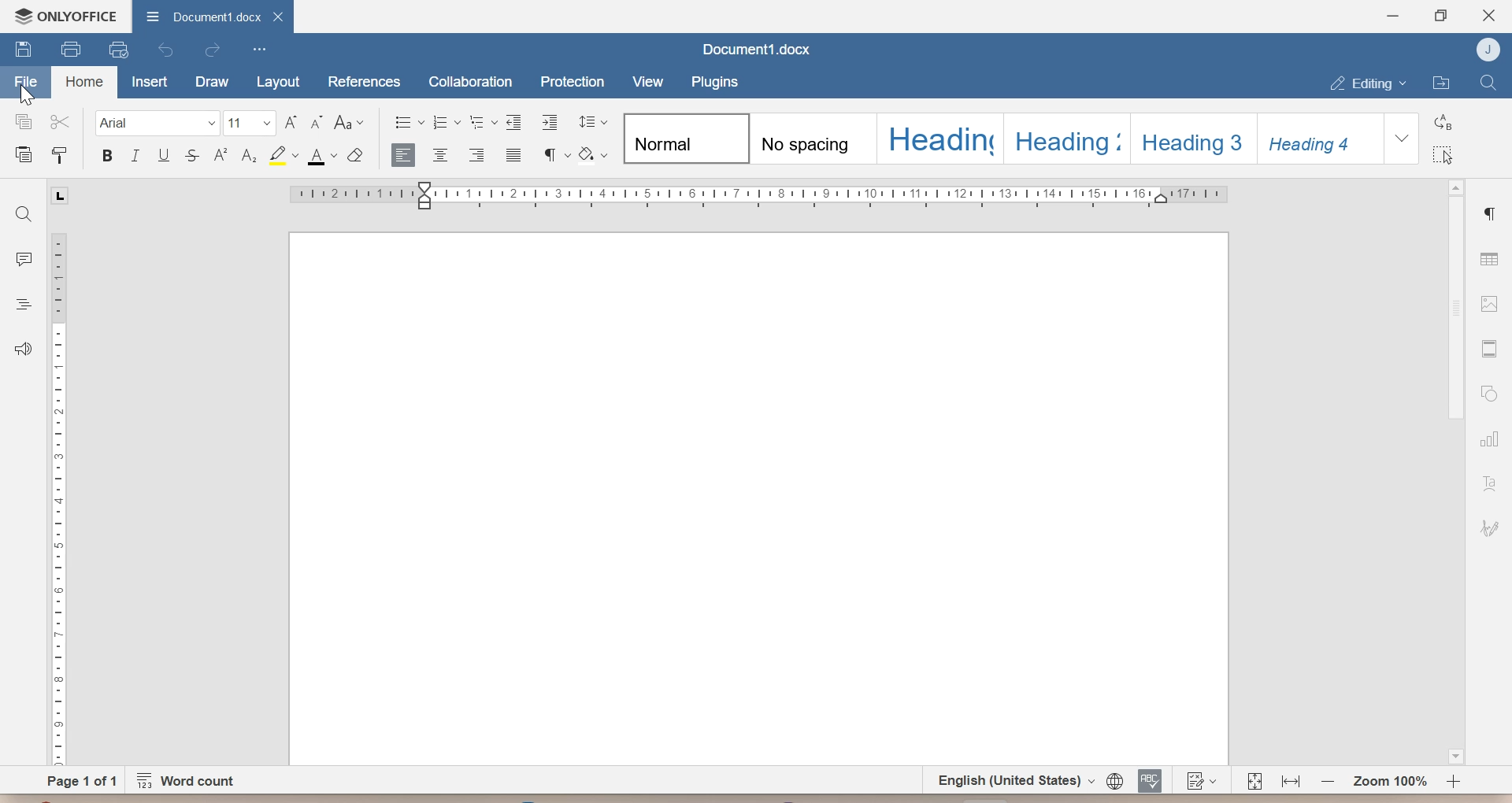 This screenshot has width=1512, height=803. I want to click on References, so click(364, 81).